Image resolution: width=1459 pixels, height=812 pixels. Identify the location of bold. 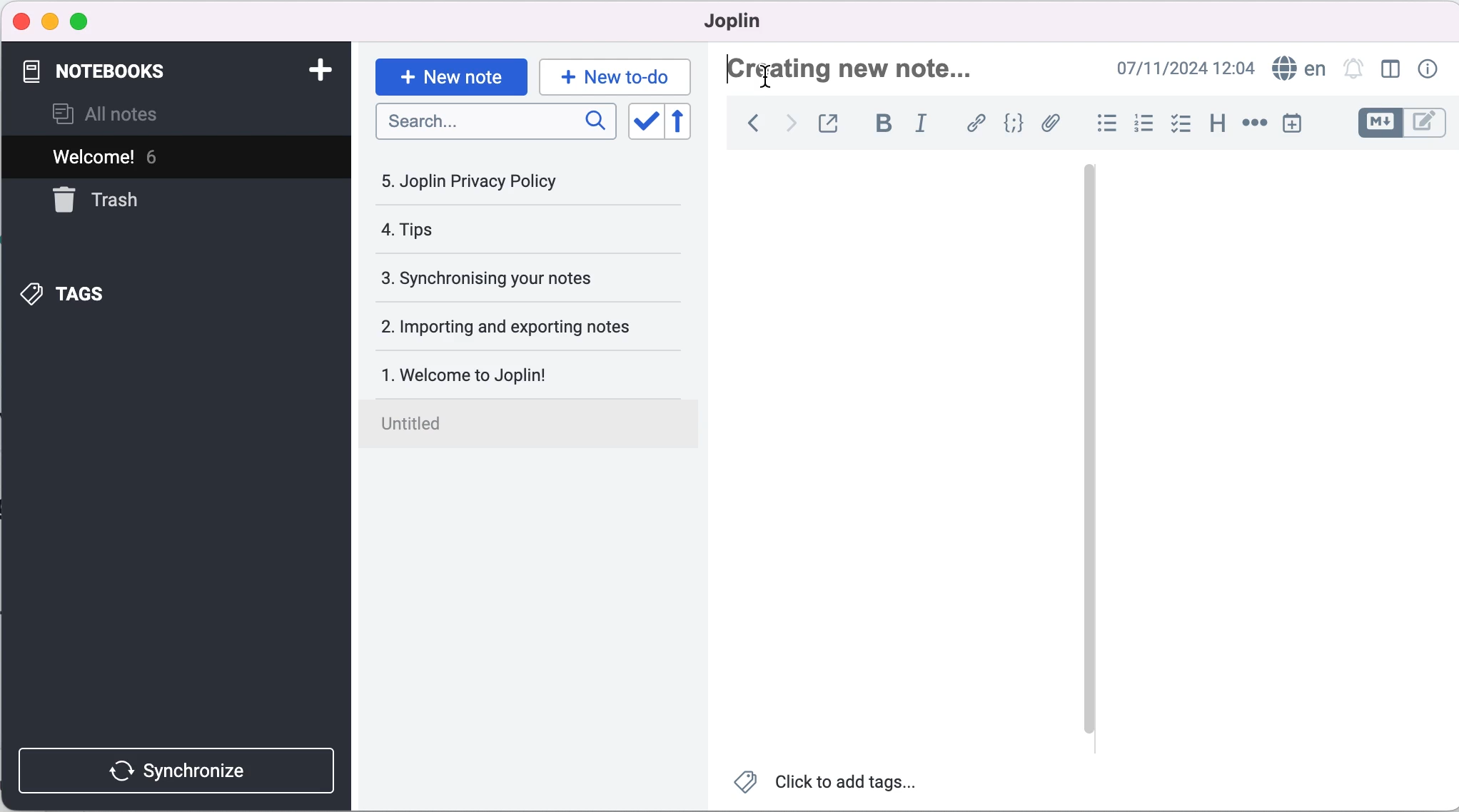
(884, 123).